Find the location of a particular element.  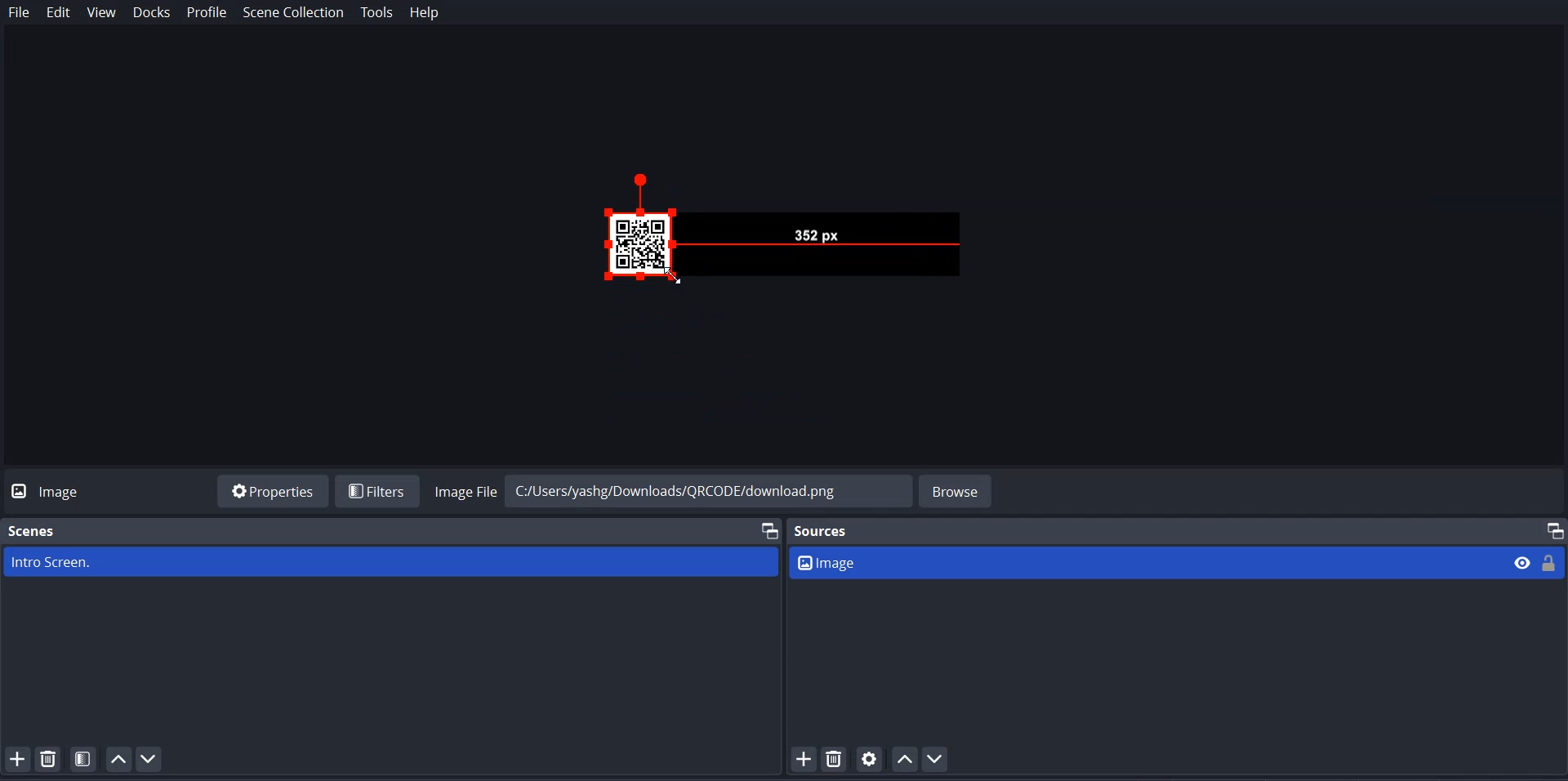

Profile is located at coordinates (207, 13).